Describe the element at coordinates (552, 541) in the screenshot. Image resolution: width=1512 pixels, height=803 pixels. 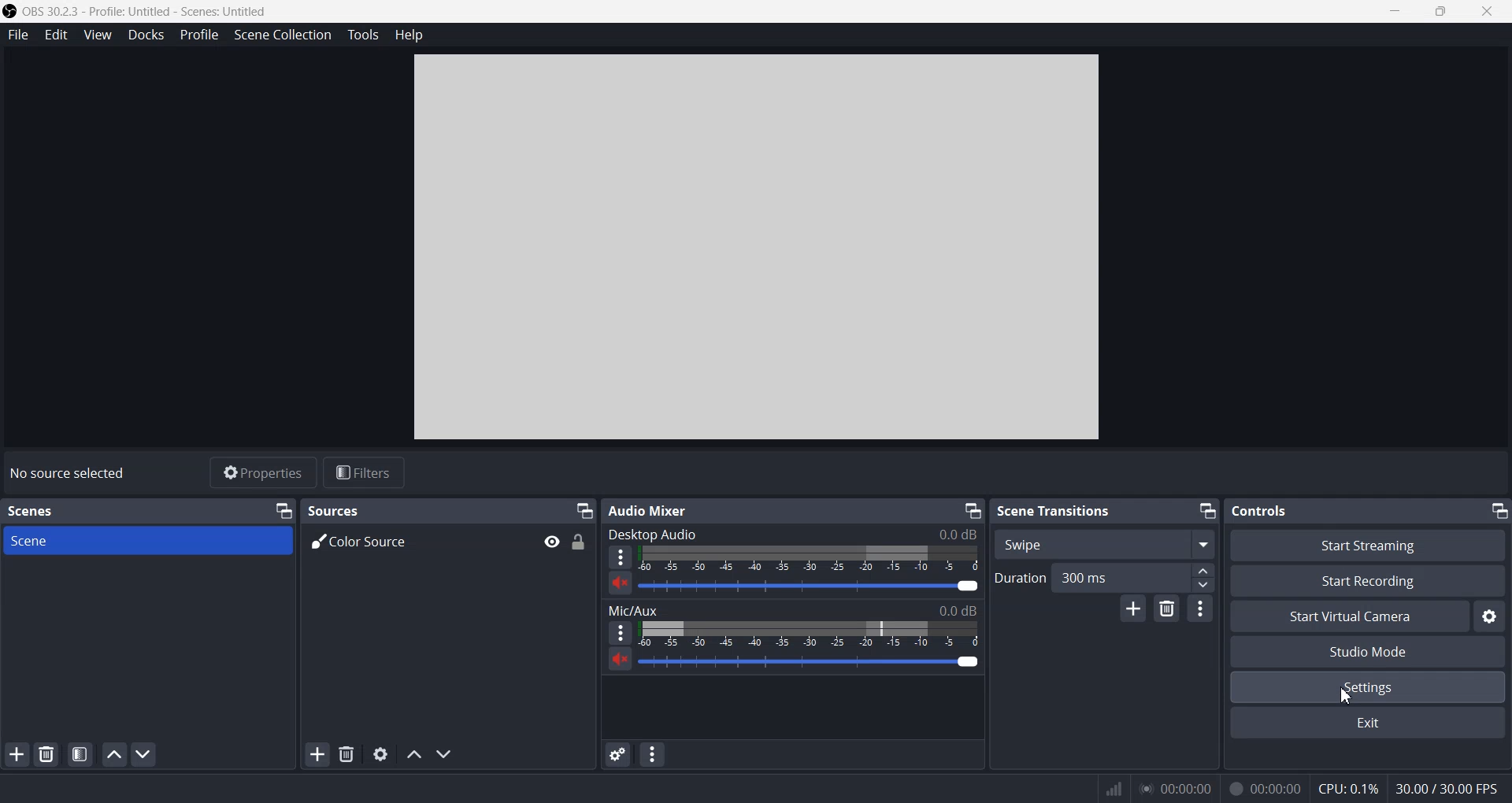
I see `Eye` at that location.